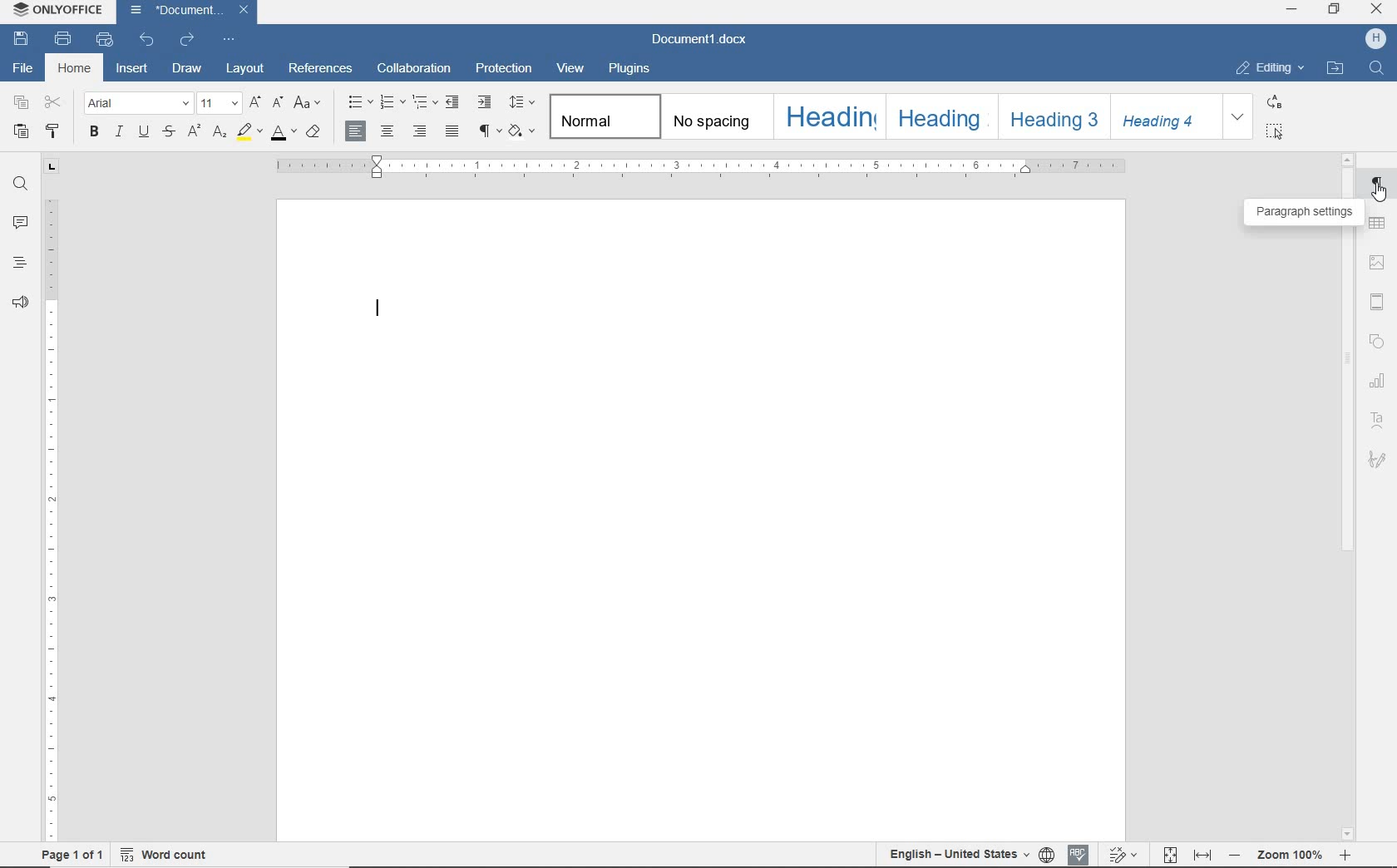 The height and width of the screenshot is (868, 1397). Describe the element at coordinates (144, 134) in the screenshot. I see `underline` at that location.